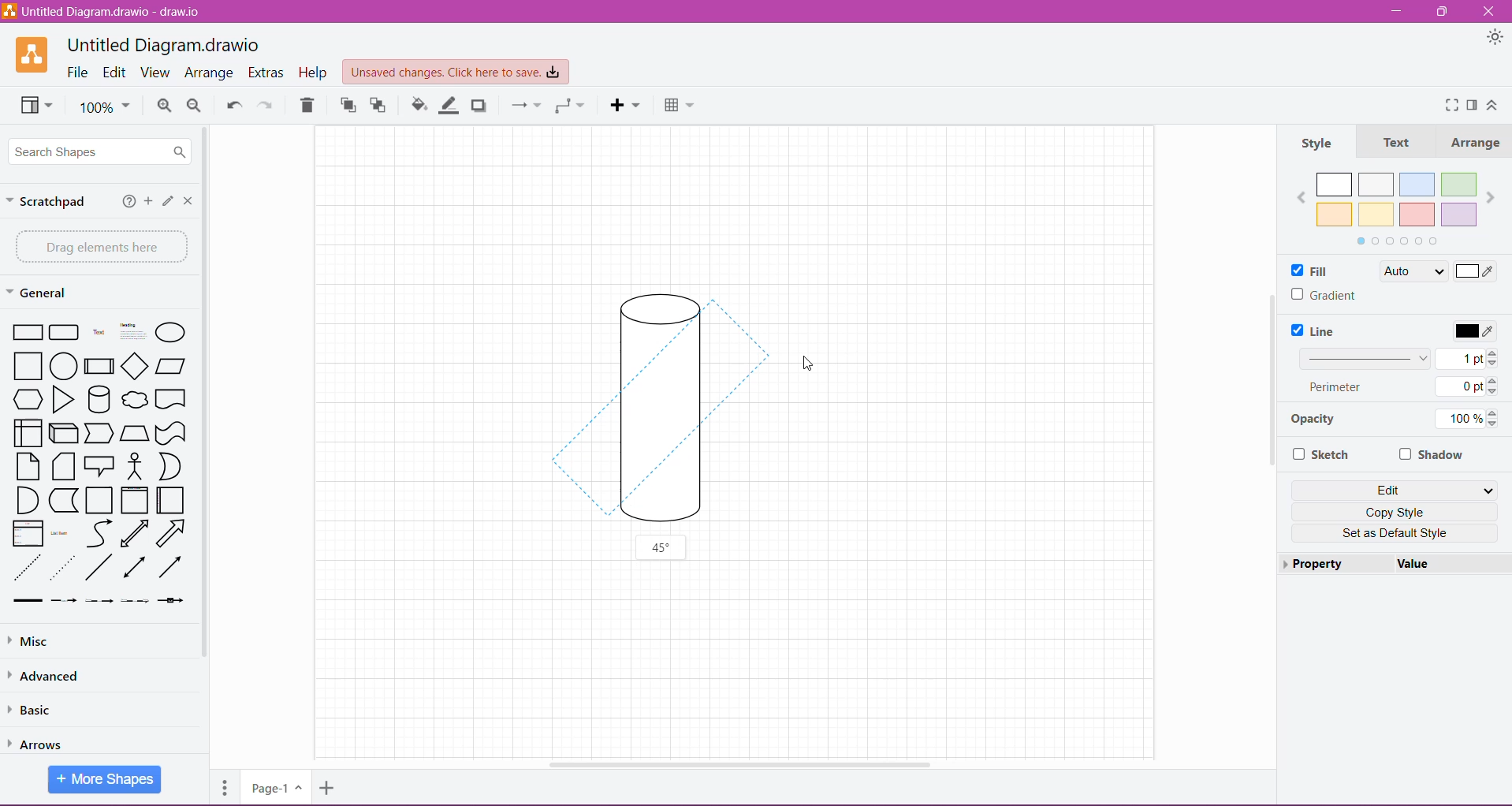 The height and width of the screenshot is (806, 1512). What do you see at coordinates (210, 404) in the screenshot?
I see `Vertical Scroll Bar` at bounding box center [210, 404].